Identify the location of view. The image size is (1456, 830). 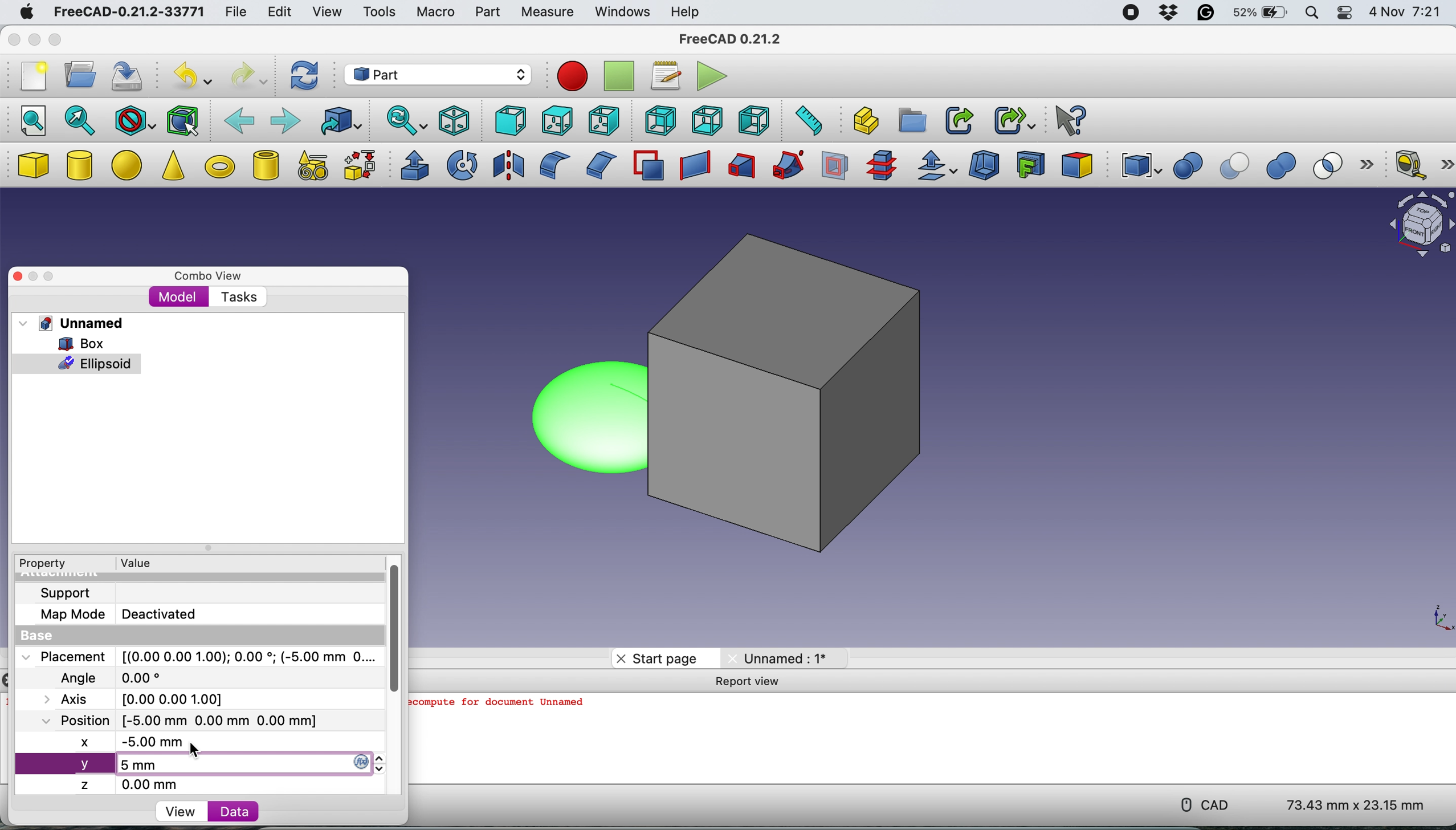
(326, 11).